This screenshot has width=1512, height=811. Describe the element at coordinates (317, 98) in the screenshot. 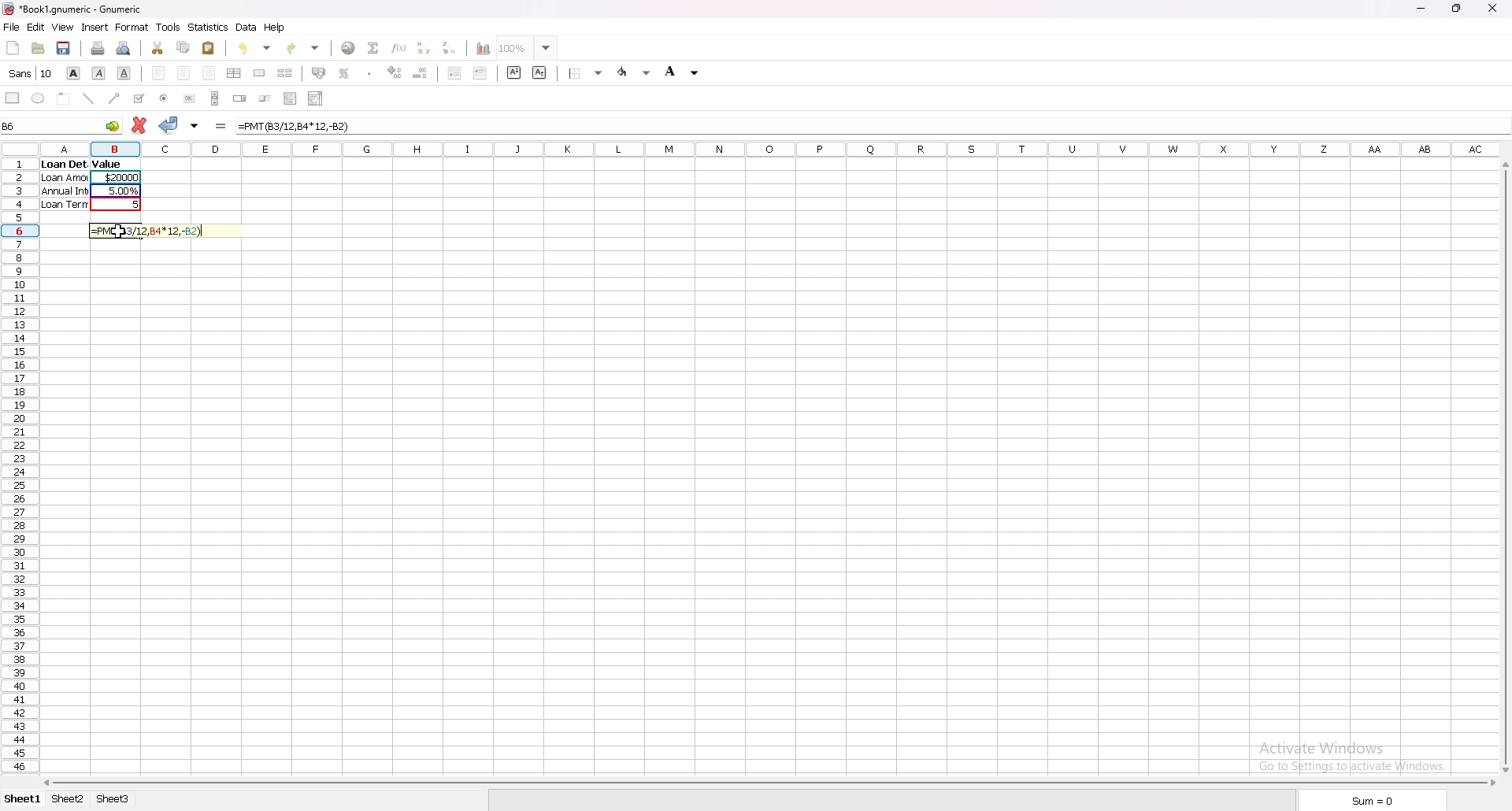

I see `combo box` at that location.